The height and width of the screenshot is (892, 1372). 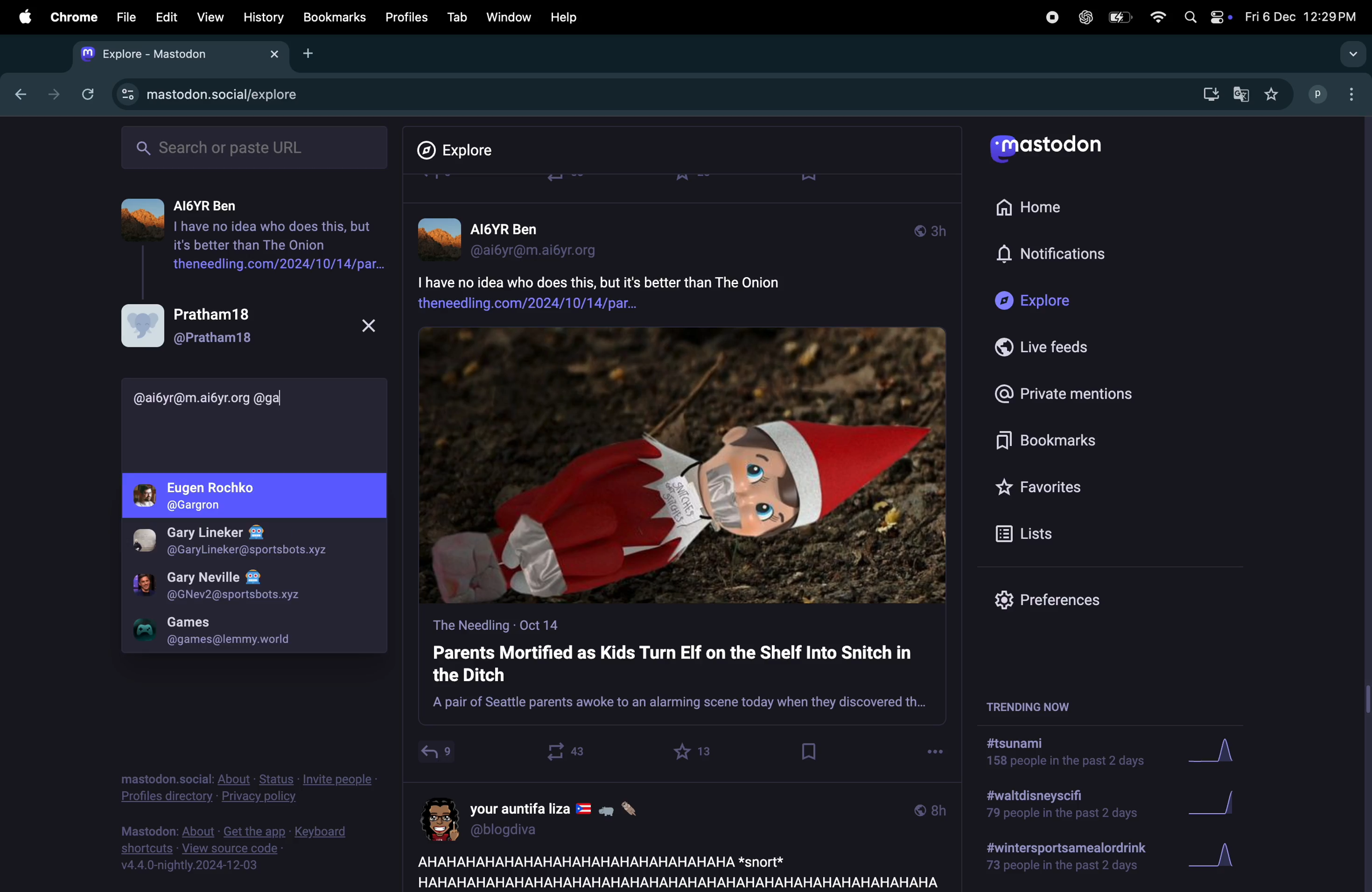 I want to click on image, so click(x=683, y=466).